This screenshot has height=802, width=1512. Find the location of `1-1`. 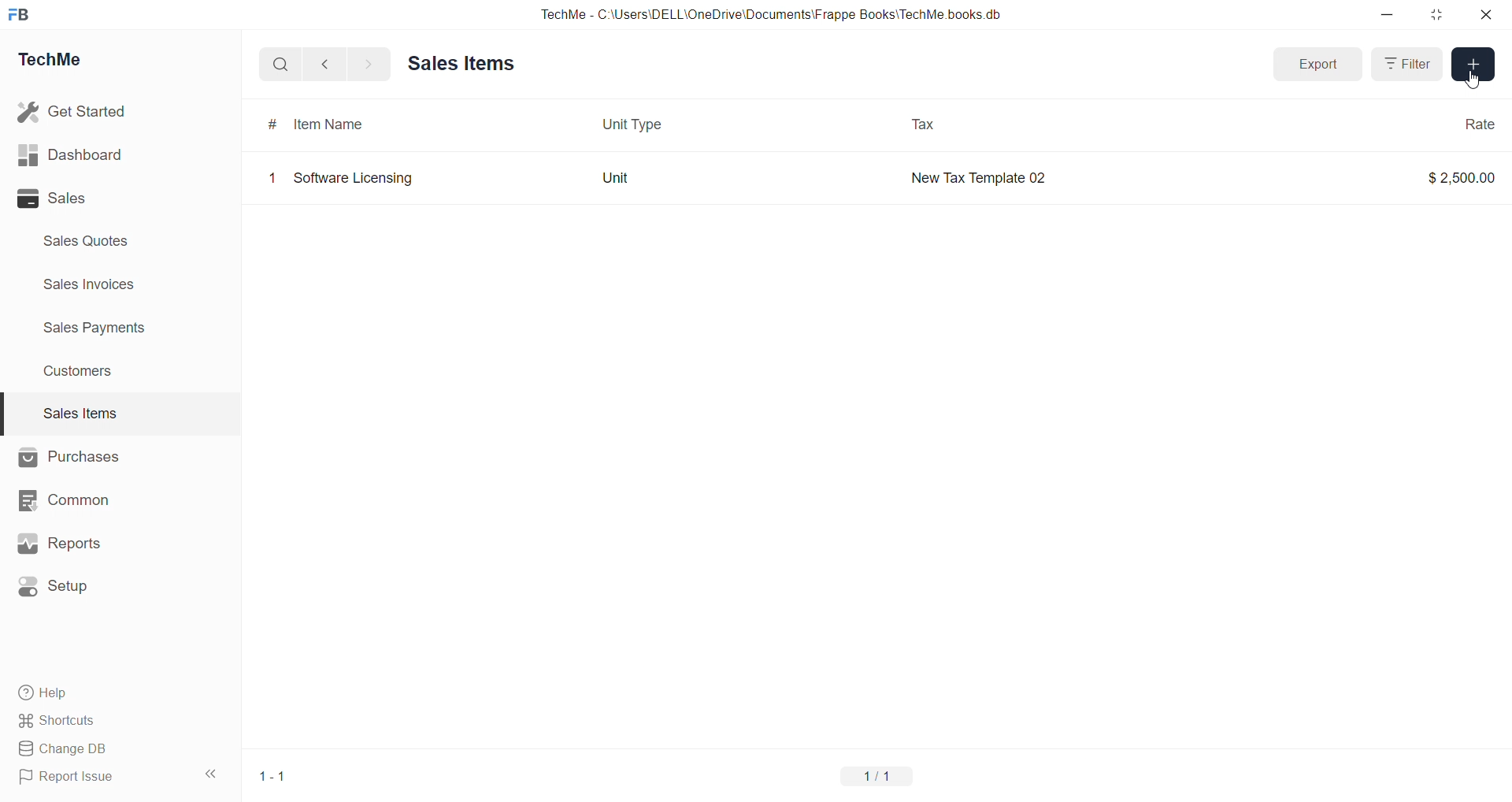

1-1 is located at coordinates (272, 774).